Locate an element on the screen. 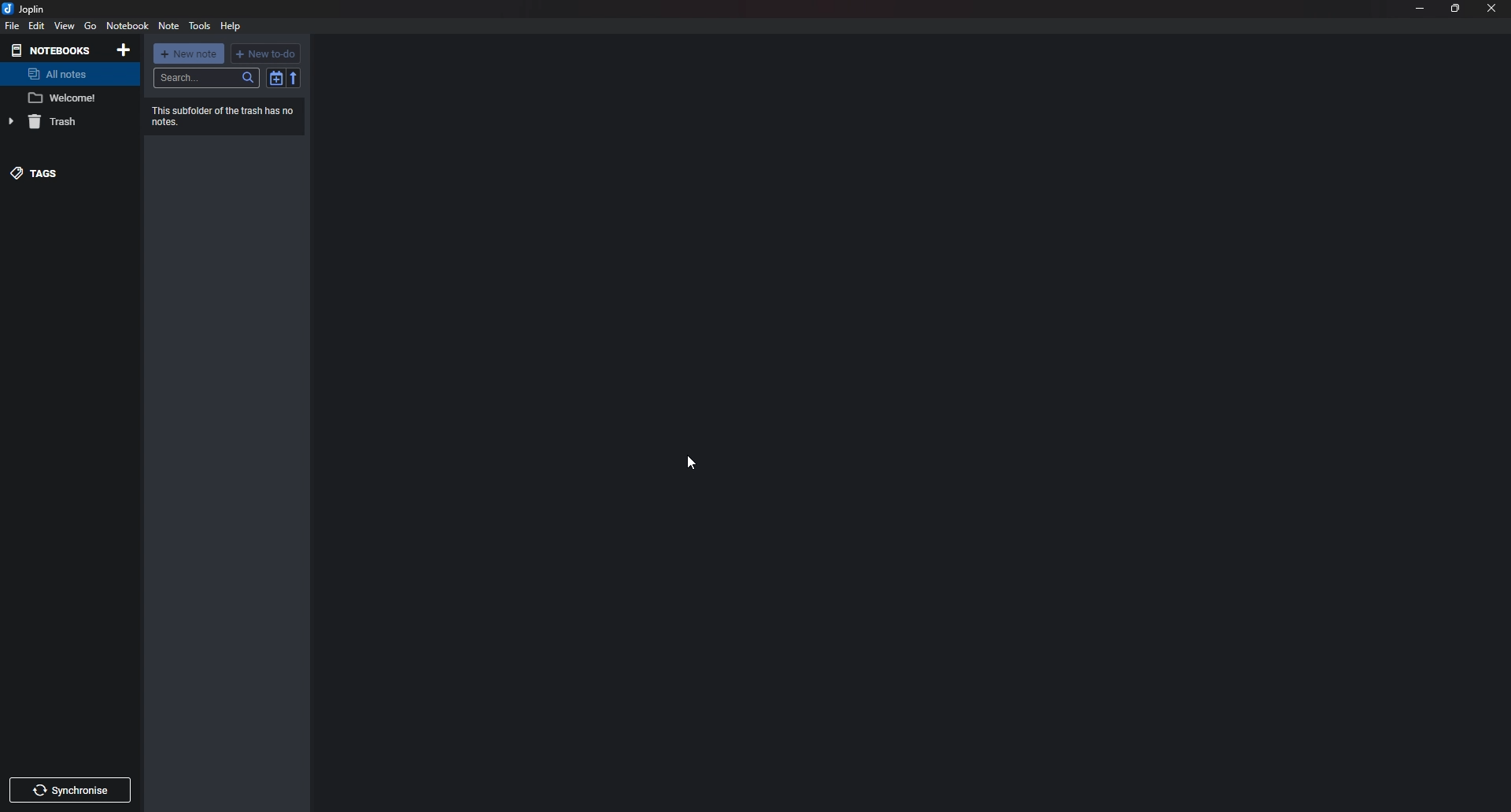  search is located at coordinates (205, 78).